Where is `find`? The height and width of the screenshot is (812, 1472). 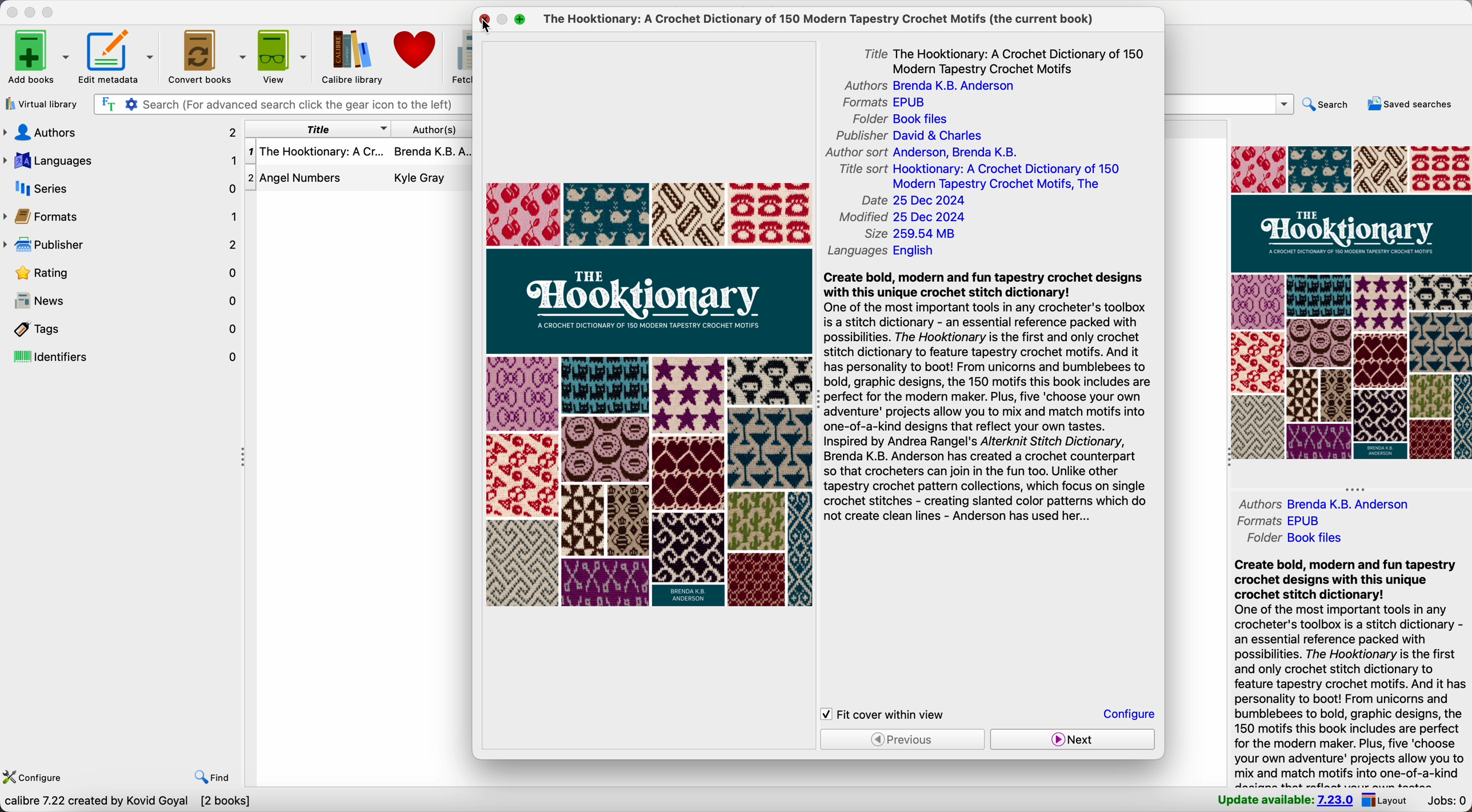
find is located at coordinates (214, 778).